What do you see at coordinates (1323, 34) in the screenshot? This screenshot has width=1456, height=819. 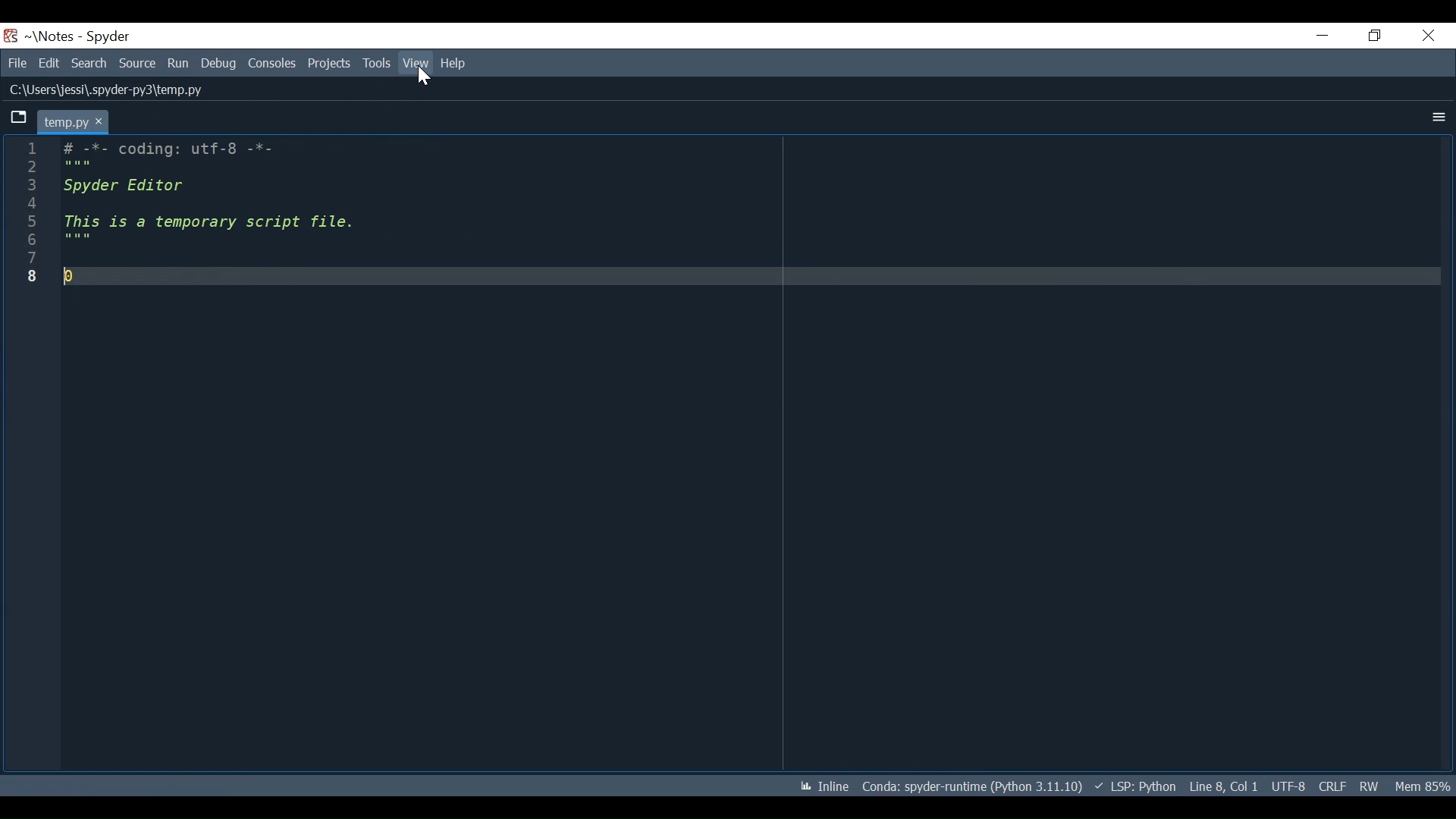 I see `Minimize` at bounding box center [1323, 34].